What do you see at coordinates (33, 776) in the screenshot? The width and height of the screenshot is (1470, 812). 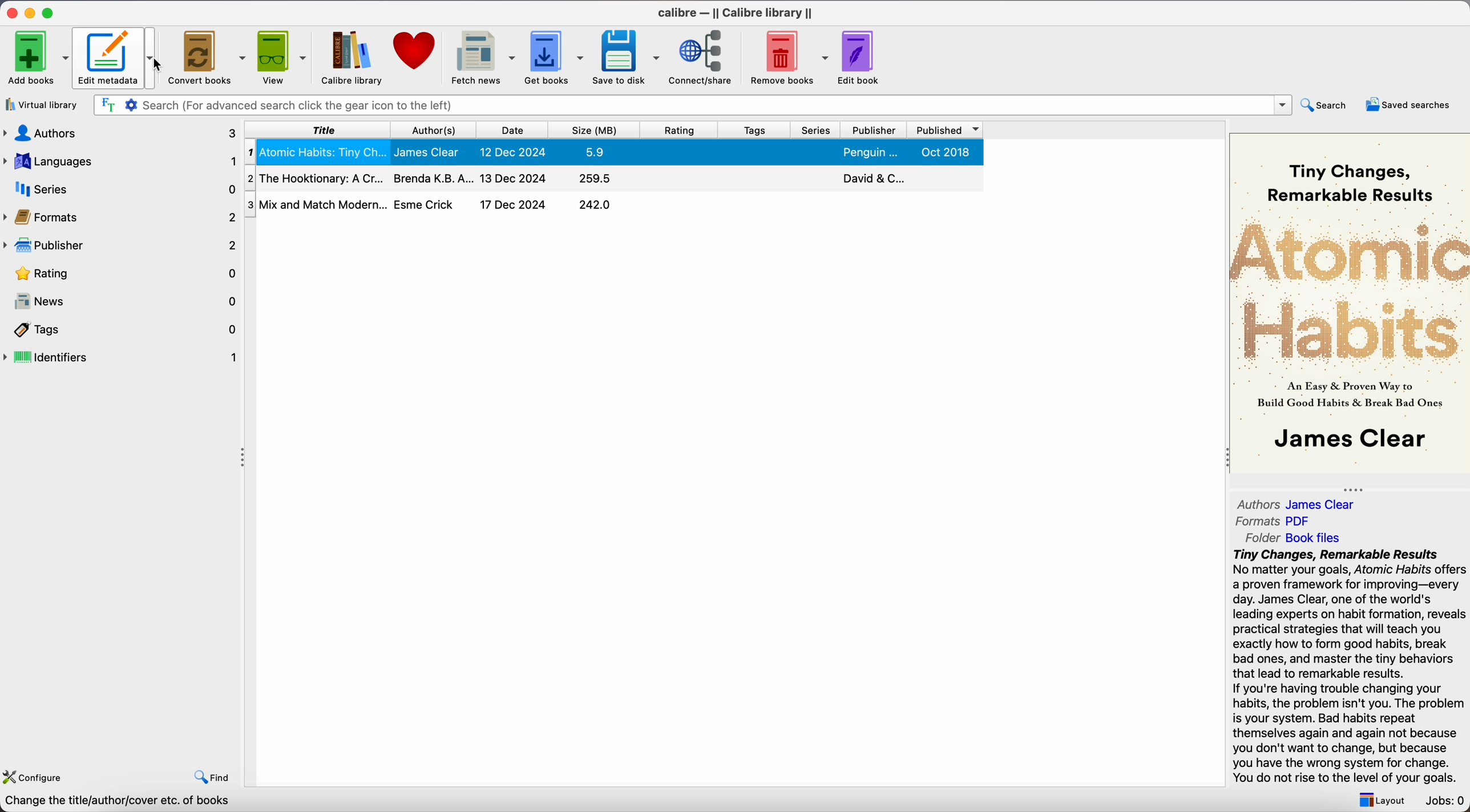 I see `configure` at bounding box center [33, 776].